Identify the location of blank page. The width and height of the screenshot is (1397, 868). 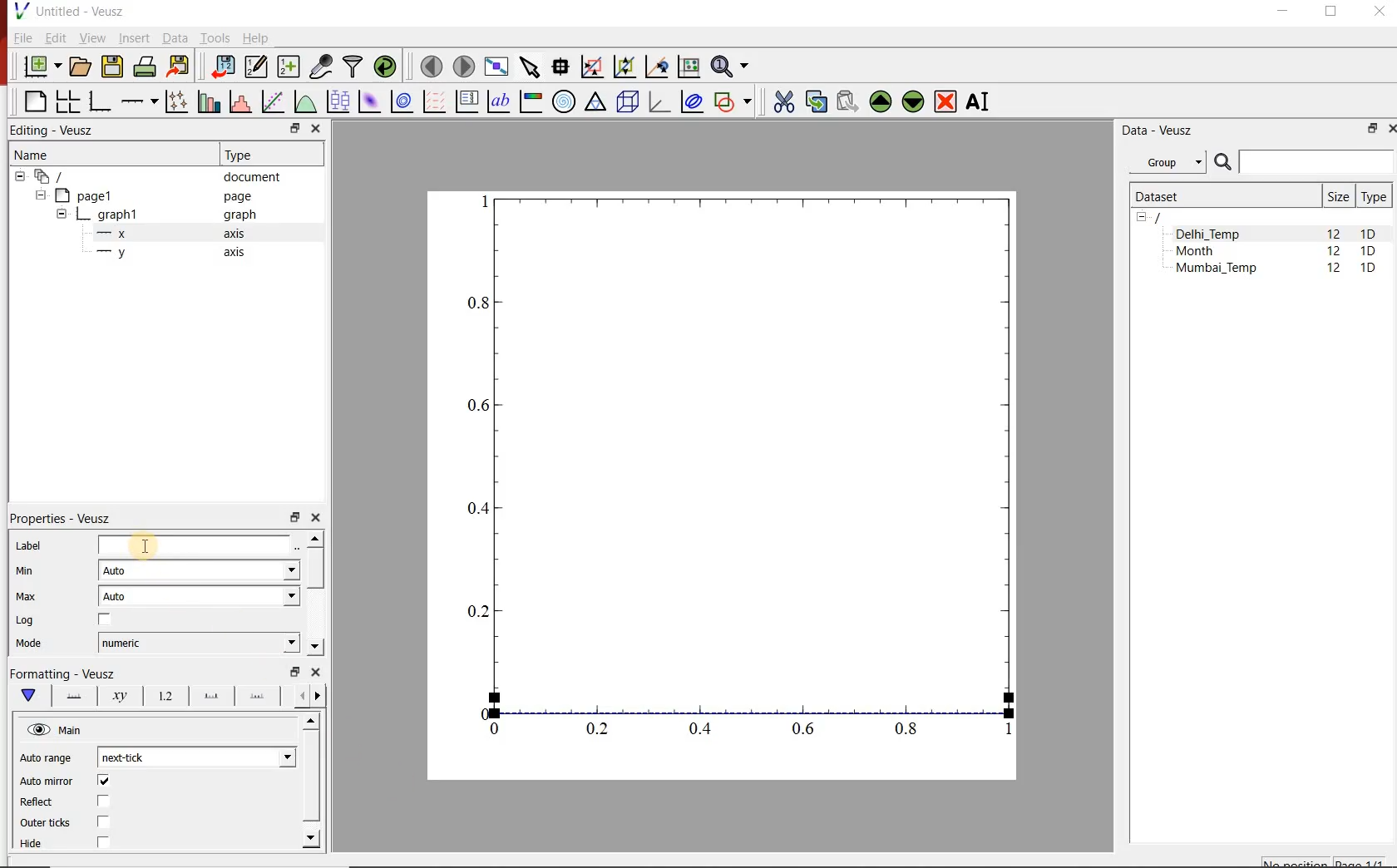
(32, 101).